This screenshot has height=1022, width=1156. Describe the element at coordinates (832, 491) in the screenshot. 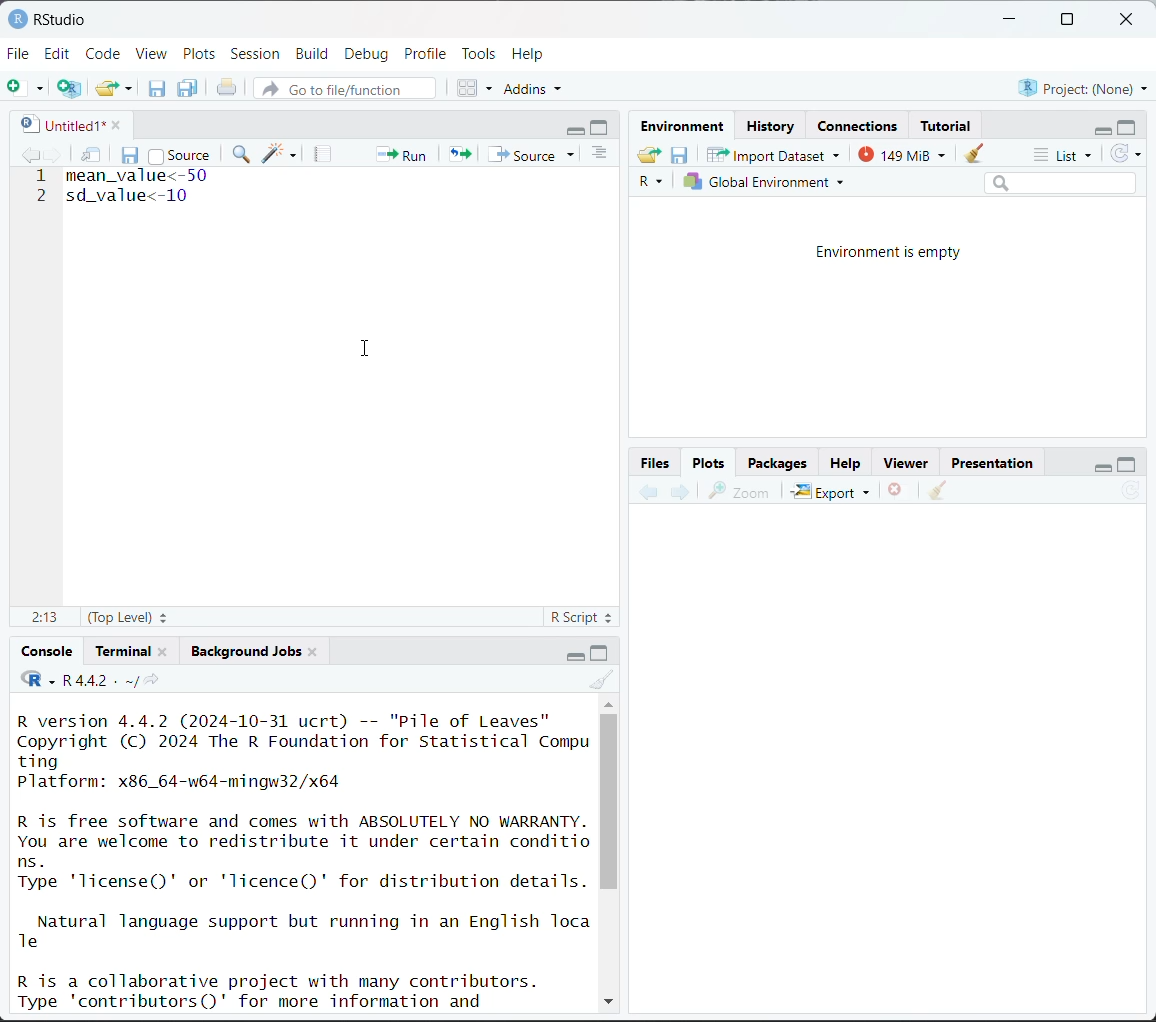

I see `Export` at that location.